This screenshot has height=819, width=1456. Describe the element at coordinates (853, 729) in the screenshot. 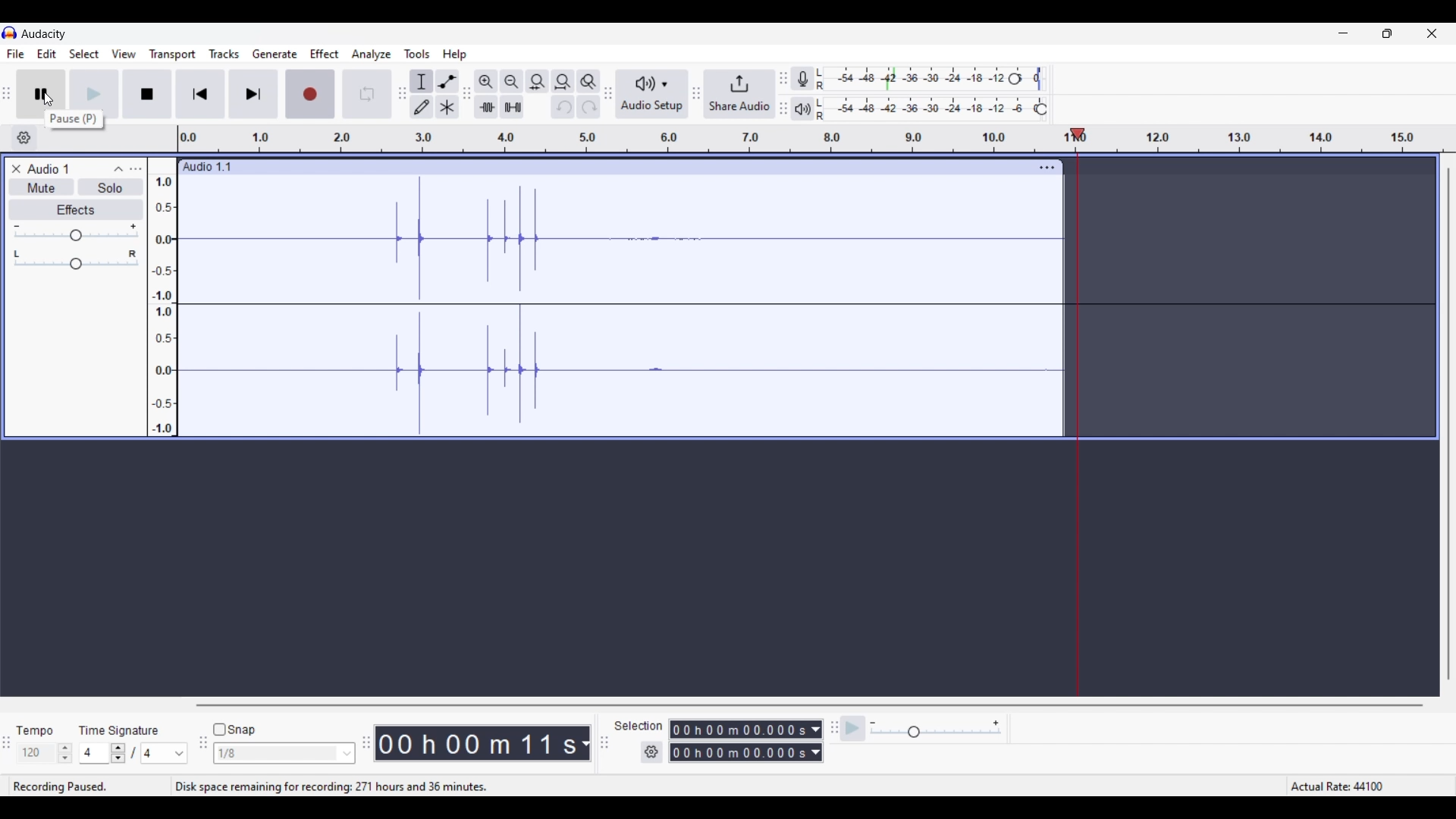

I see `Play-at-speed/Play-at-speed once` at that location.